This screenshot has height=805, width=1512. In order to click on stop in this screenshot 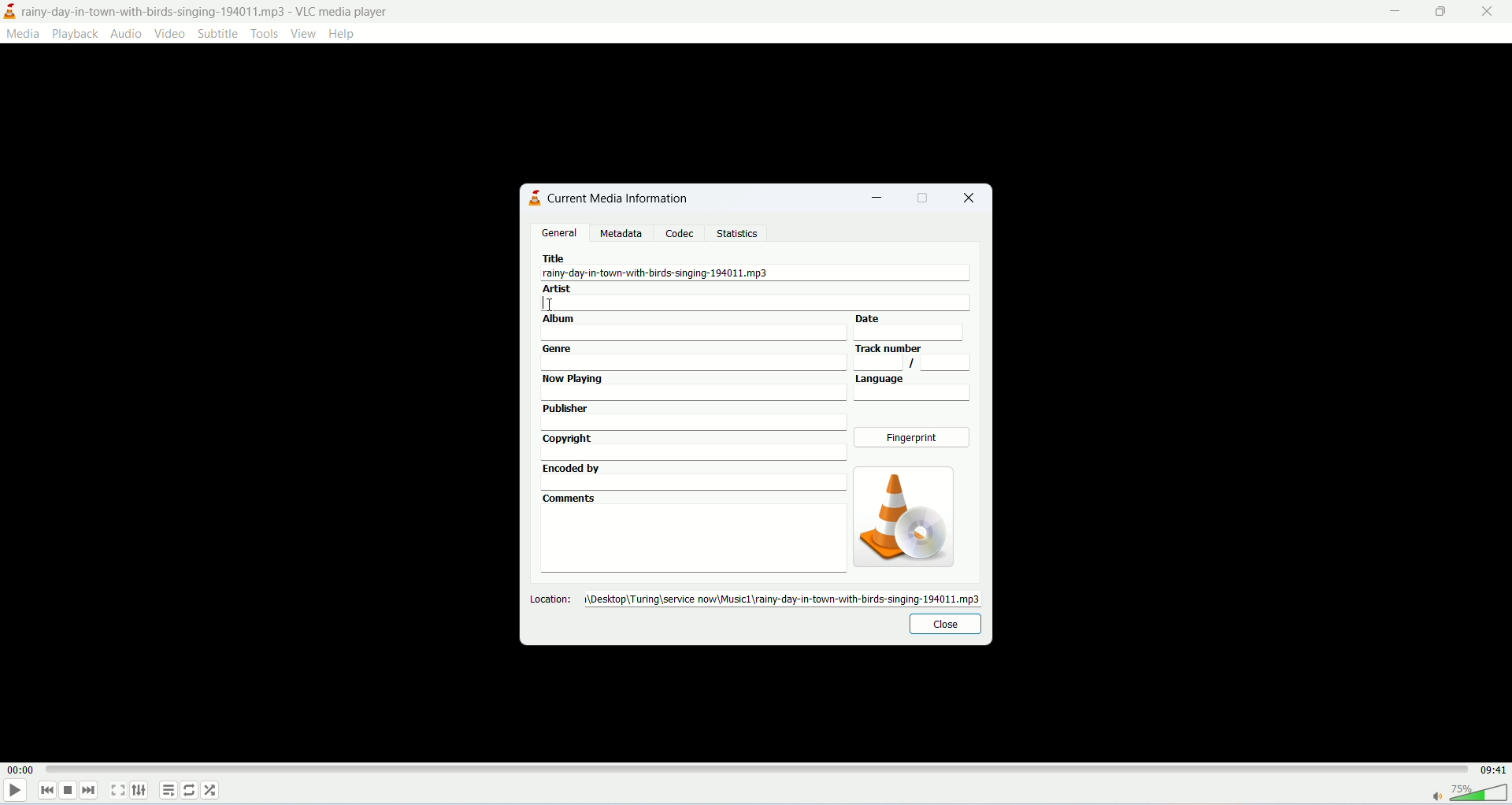, I will do `click(69, 788)`.